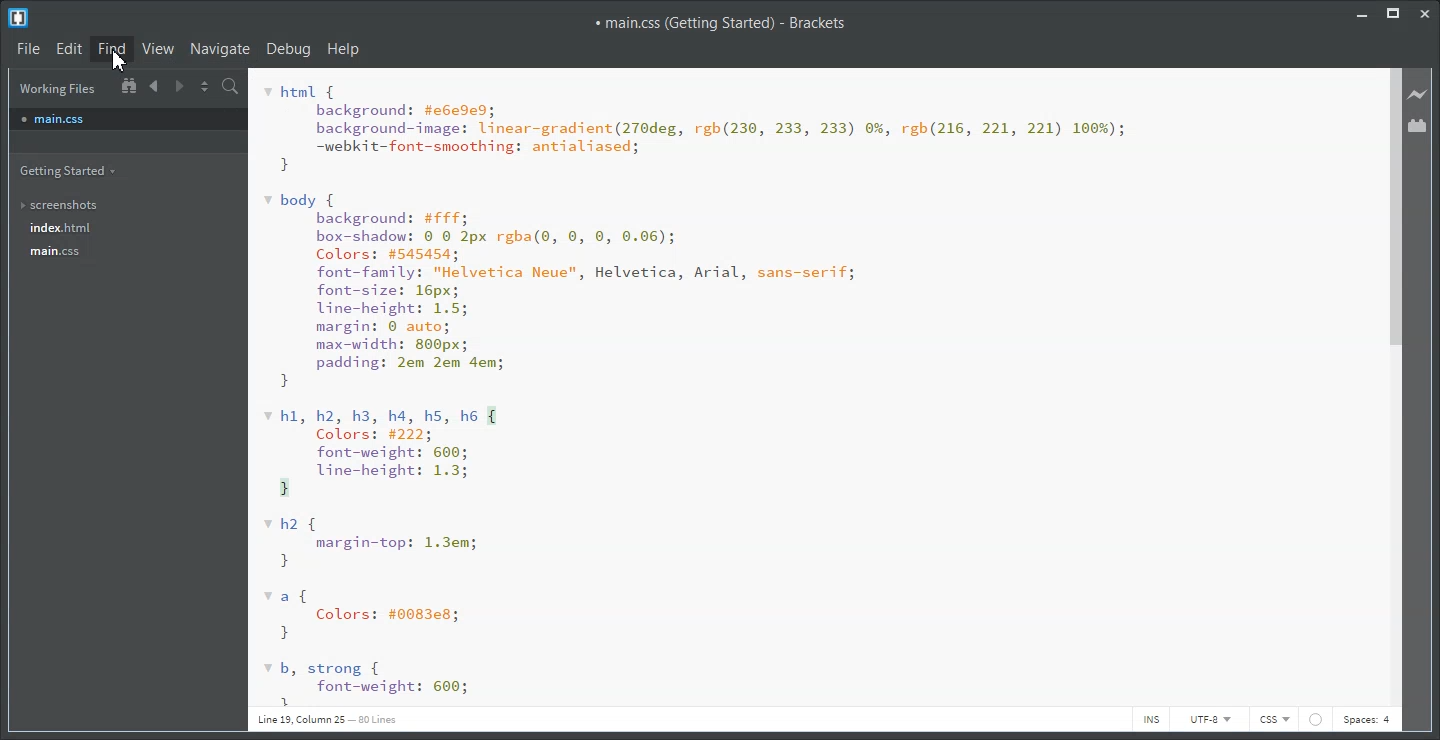  I want to click on Minimize, so click(1361, 13).